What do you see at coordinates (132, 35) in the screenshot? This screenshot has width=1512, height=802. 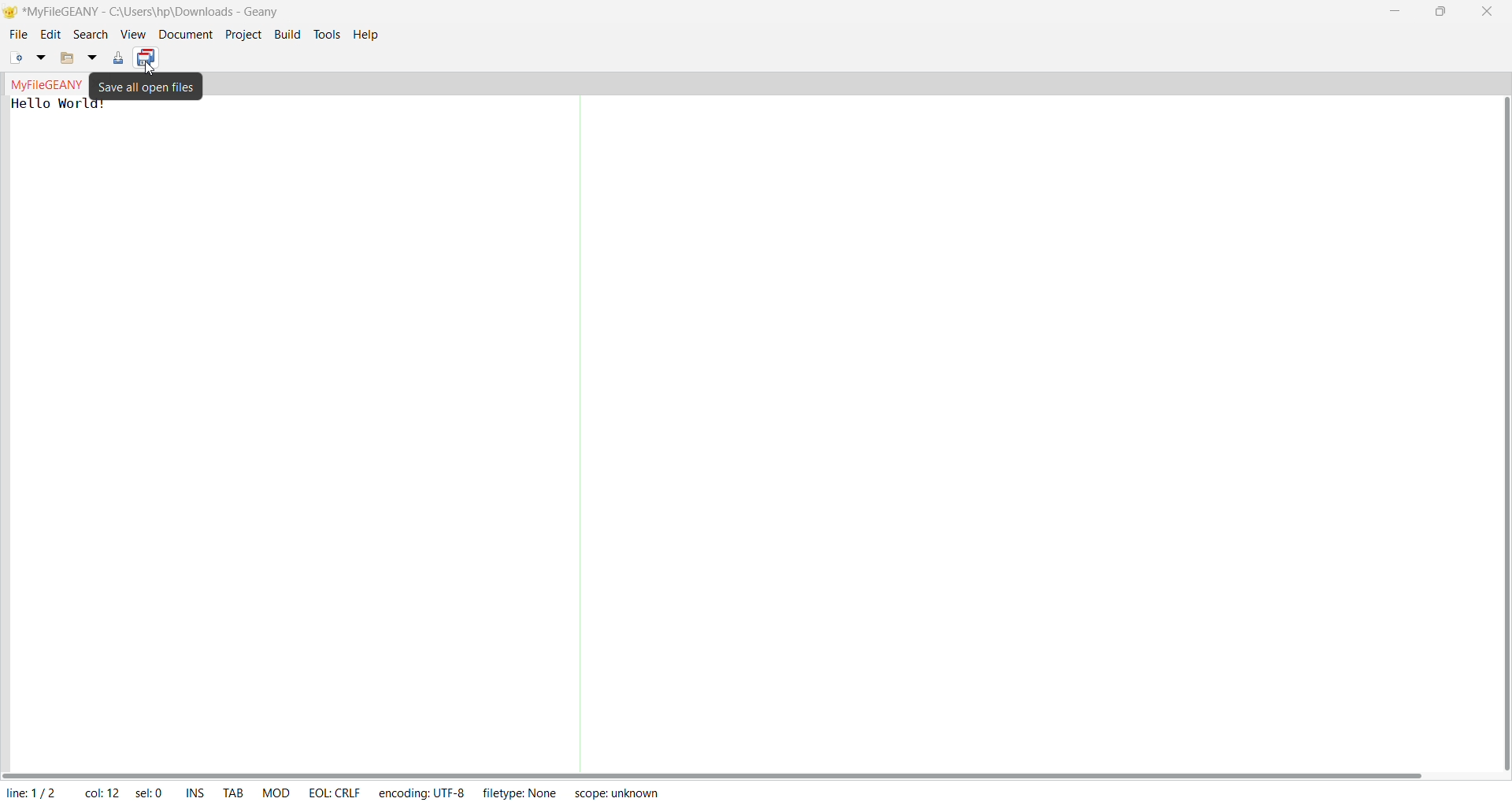 I see `View` at bounding box center [132, 35].